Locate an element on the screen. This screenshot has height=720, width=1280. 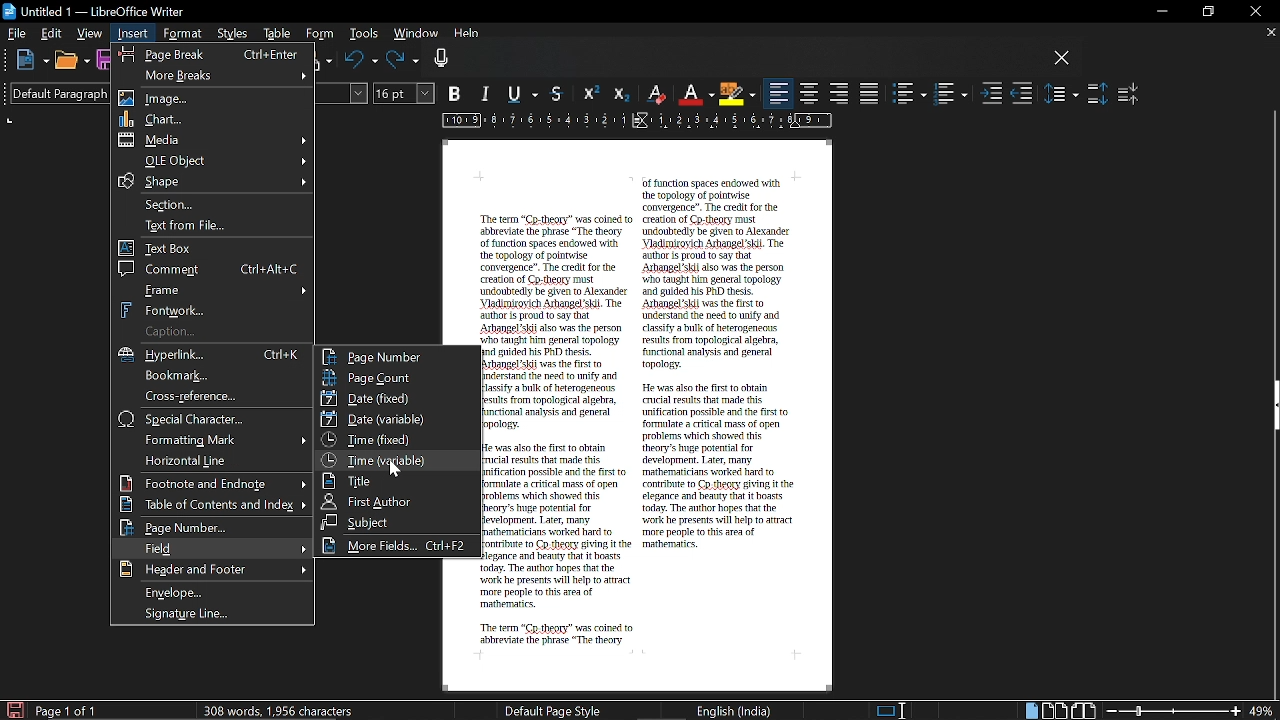
Section is located at coordinates (216, 203).